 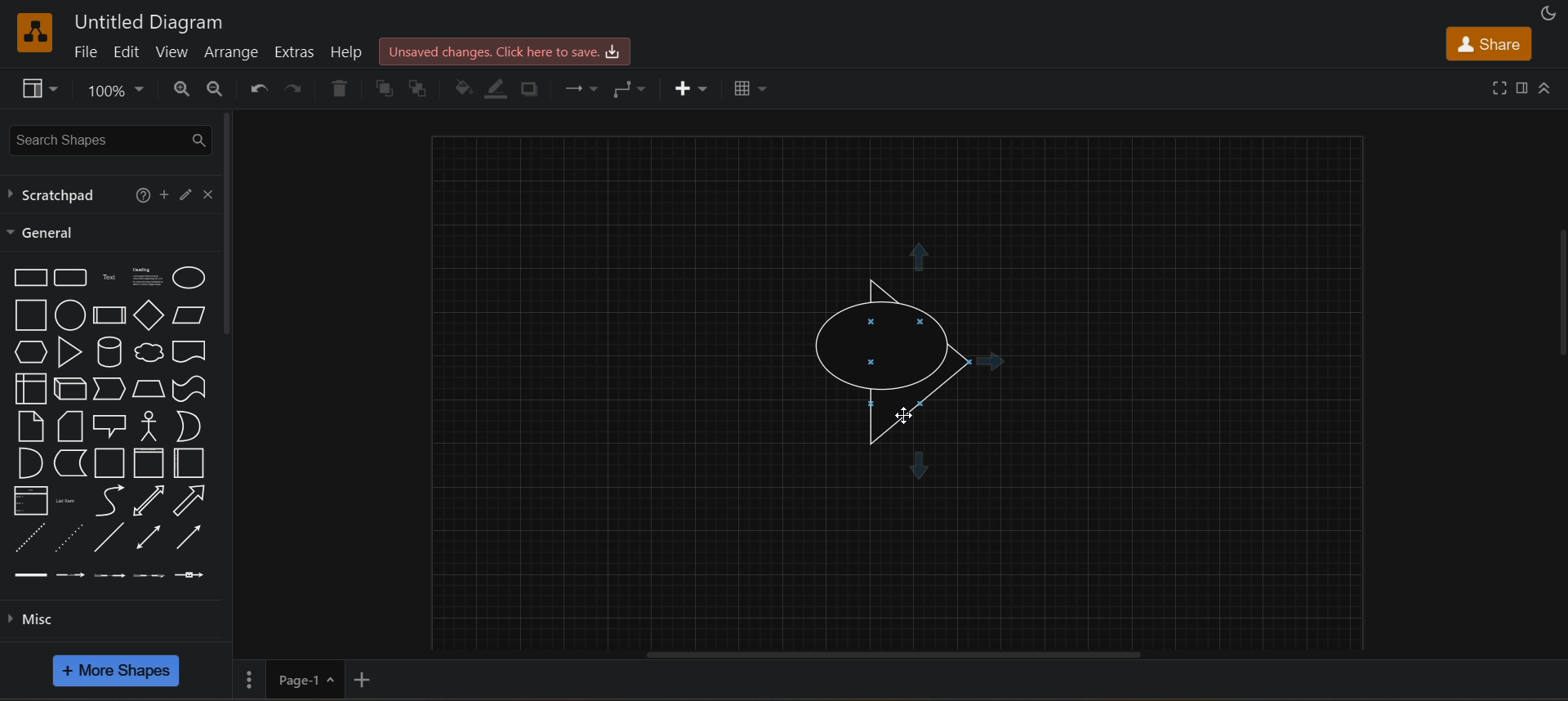 What do you see at coordinates (148, 536) in the screenshot?
I see `bidirectional connector` at bounding box center [148, 536].